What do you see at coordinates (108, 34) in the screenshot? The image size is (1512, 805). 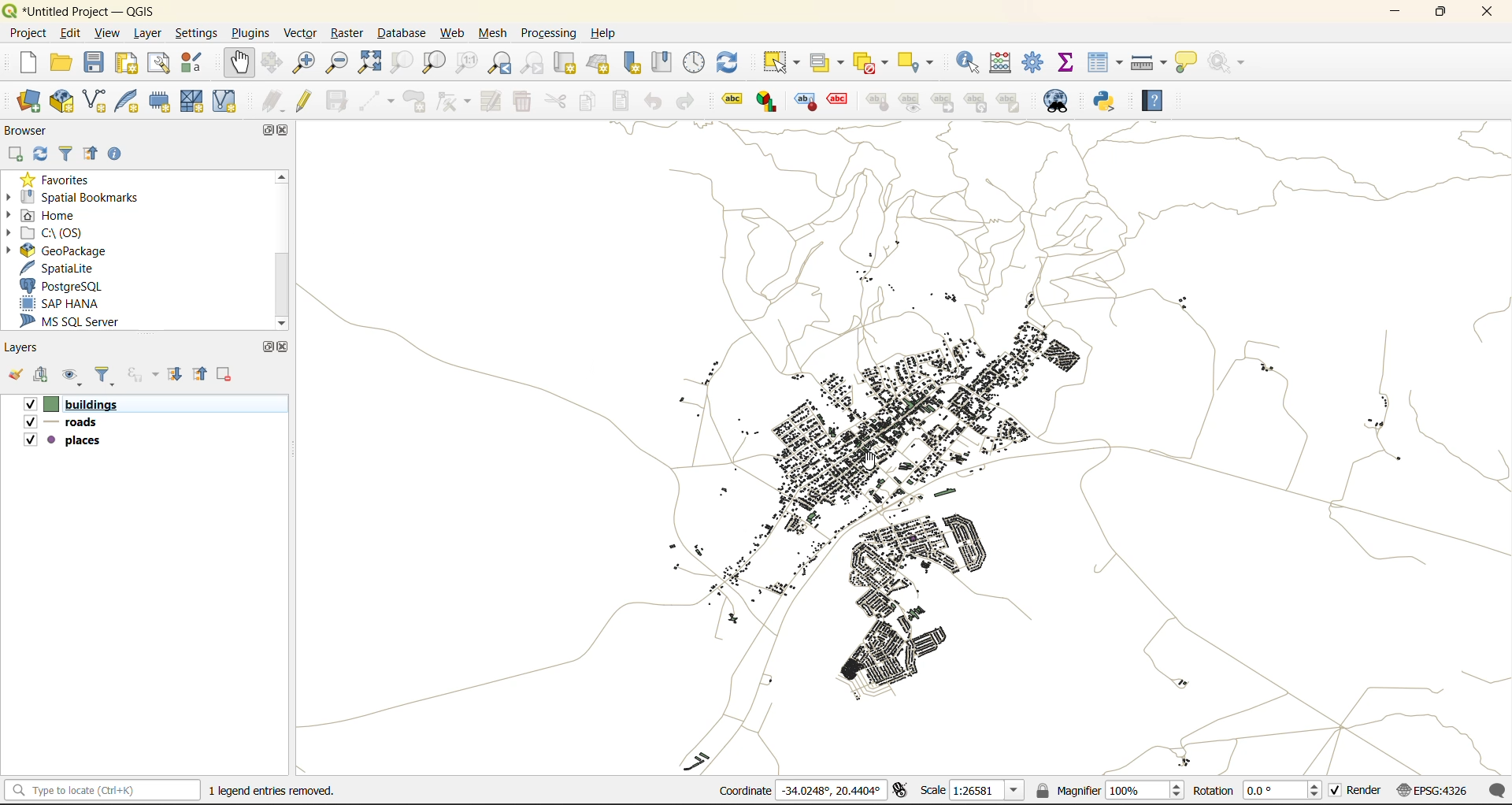 I see `view` at bounding box center [108, 34].